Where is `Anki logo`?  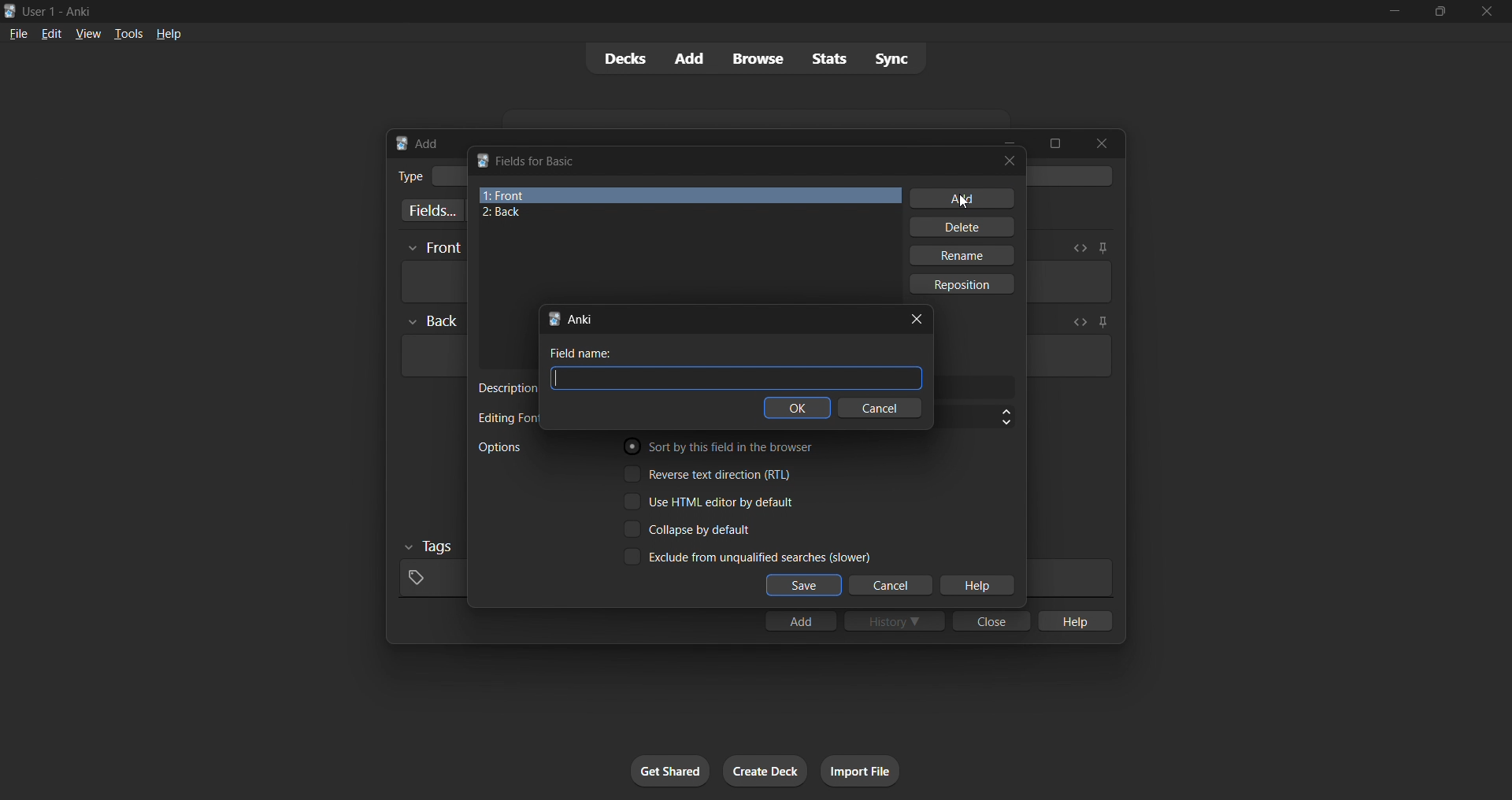 Anki logo is located at coordinates (482, 160).